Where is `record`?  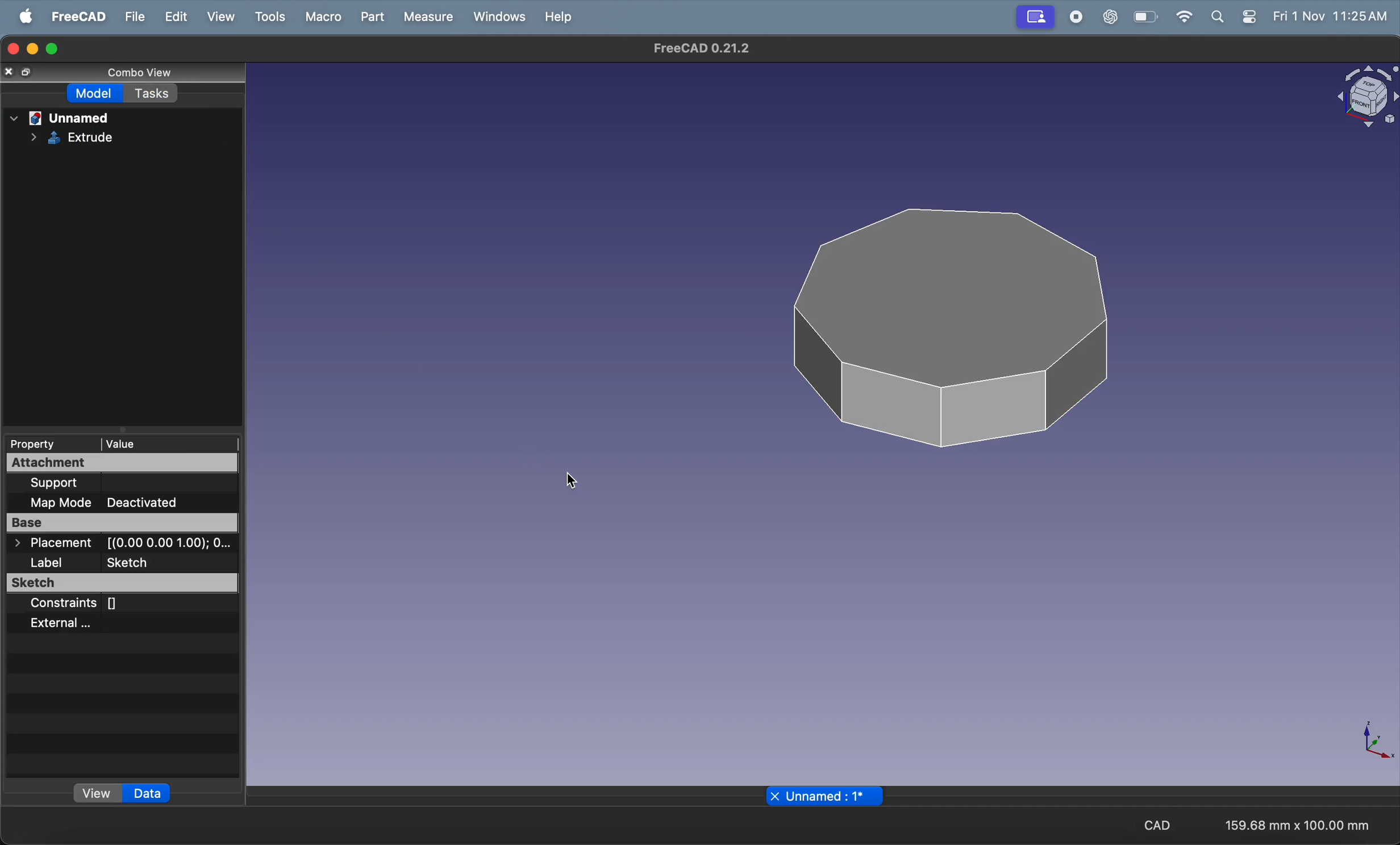 record is located at coordinates (1071, 17).